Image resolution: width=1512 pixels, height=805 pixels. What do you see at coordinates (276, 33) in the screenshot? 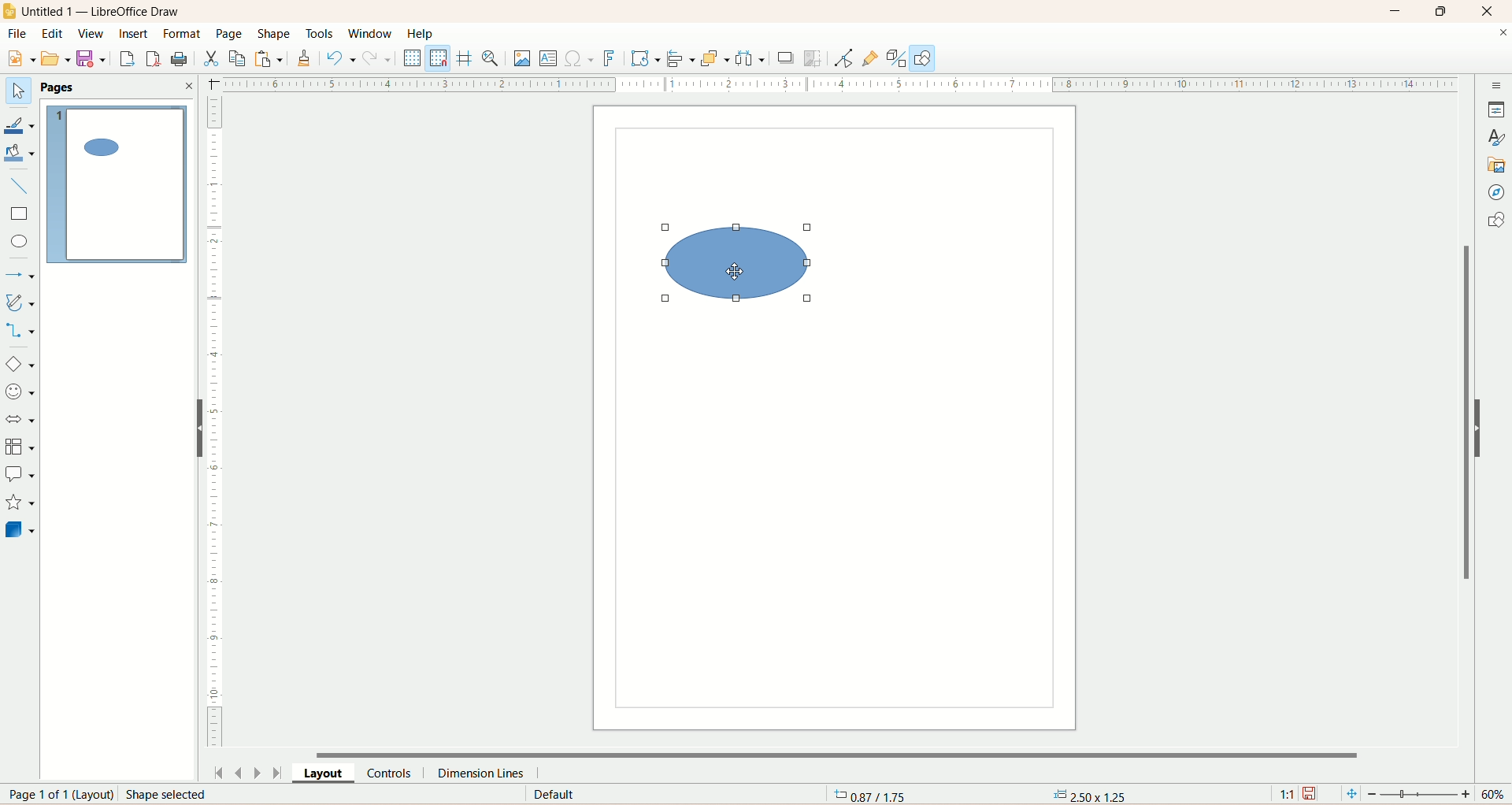
I see `shape` at bounding box center [276, 33].